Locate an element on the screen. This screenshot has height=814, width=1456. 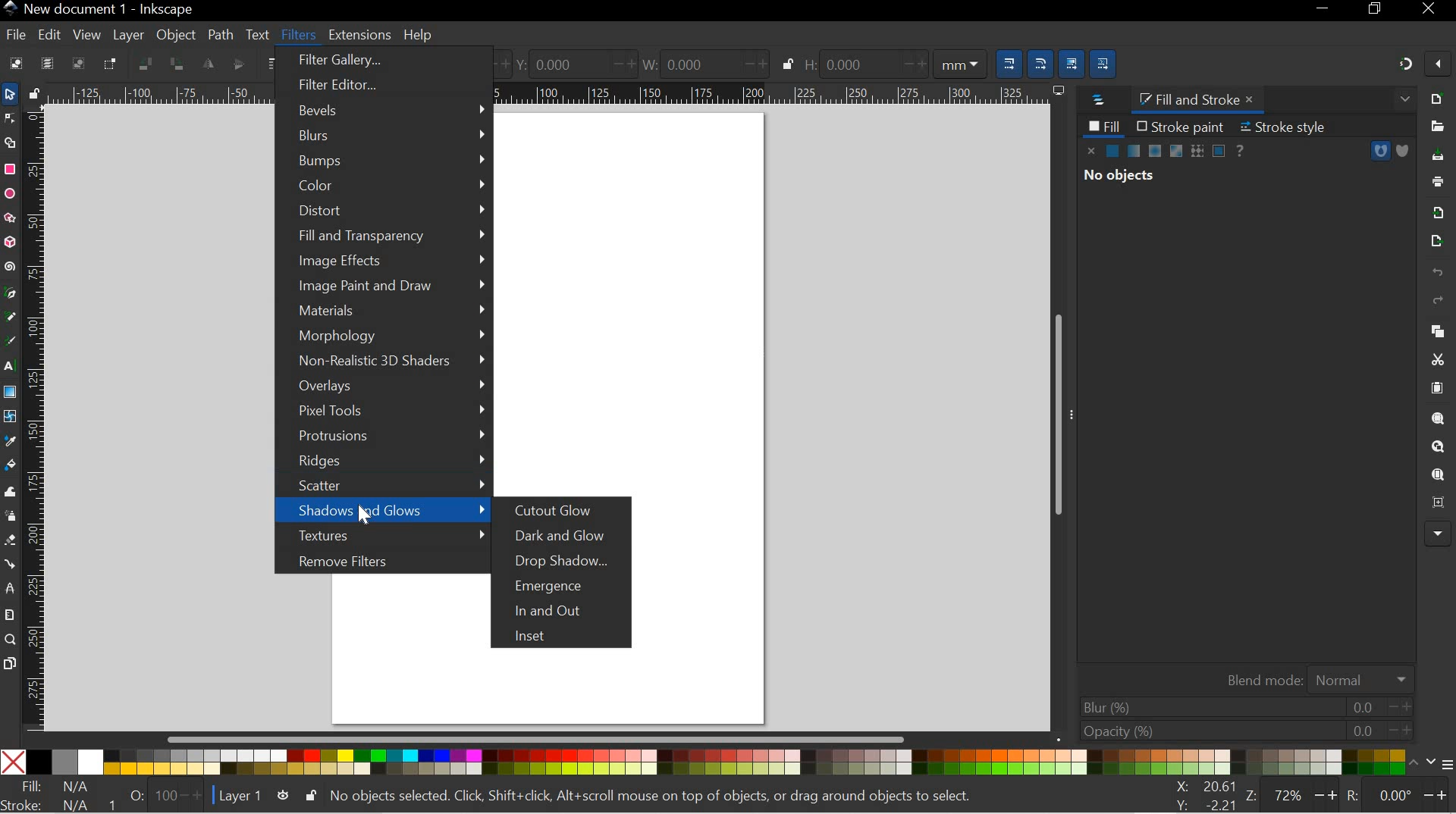
COLOR AND GRADIENT is located at coordinates (1166, 152).